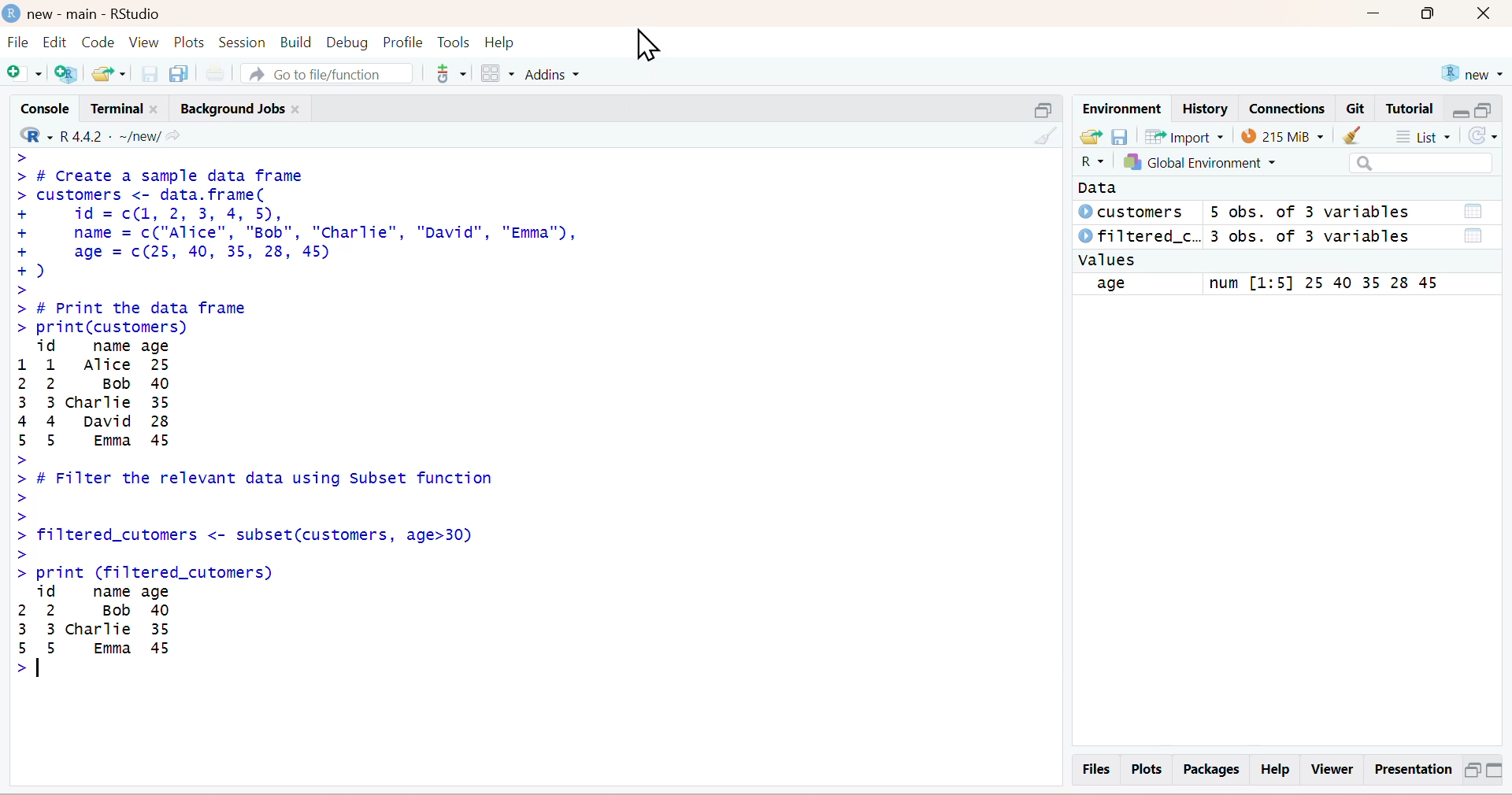 Image resolution: width=1512 pixels, height=795 pixels. What do you see at coordinates (70, 72) in the screenshot?
I see `Create a project` at bounding box center [70, 72].